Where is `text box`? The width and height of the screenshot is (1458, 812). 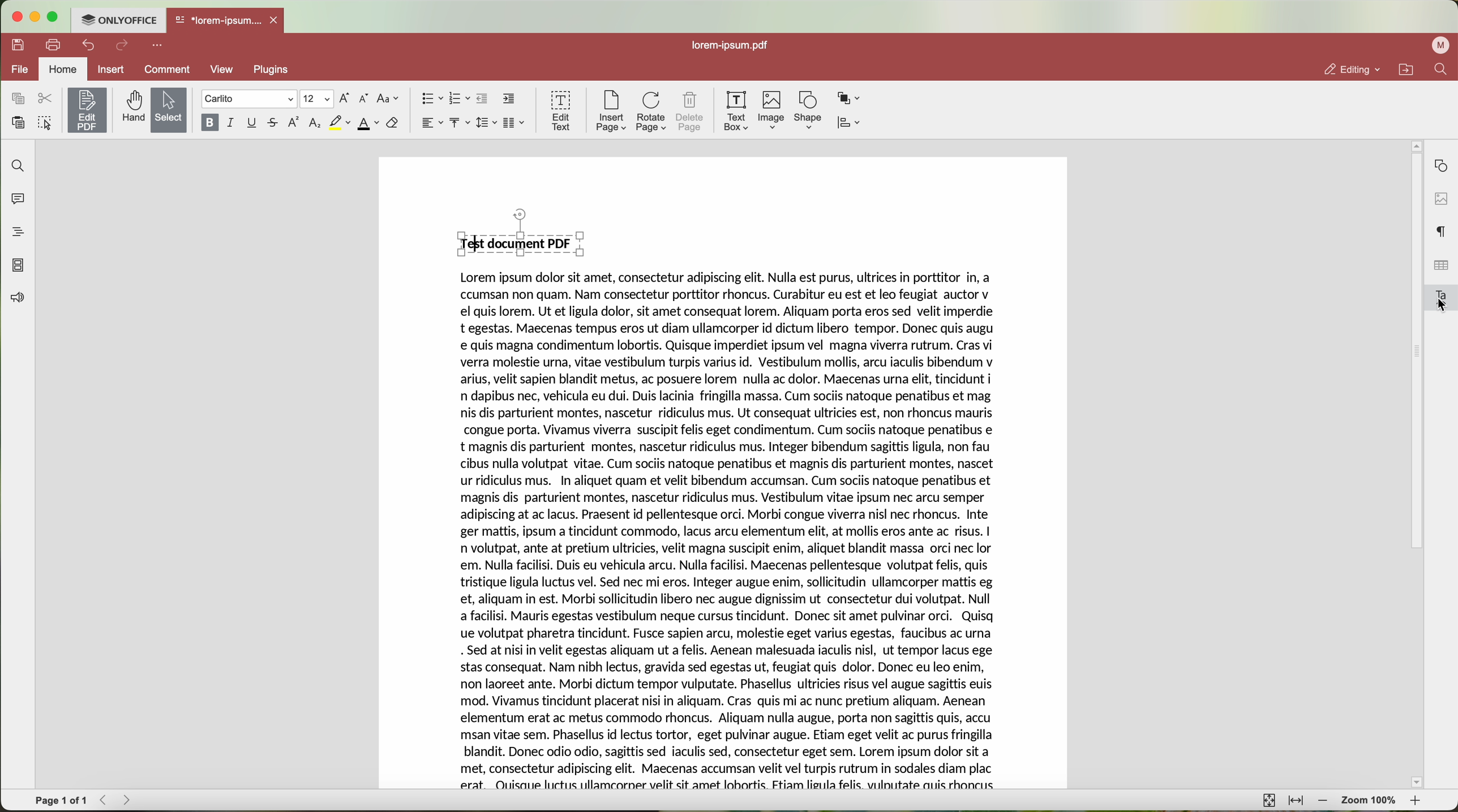 text box is located at coordinates (738, 111).